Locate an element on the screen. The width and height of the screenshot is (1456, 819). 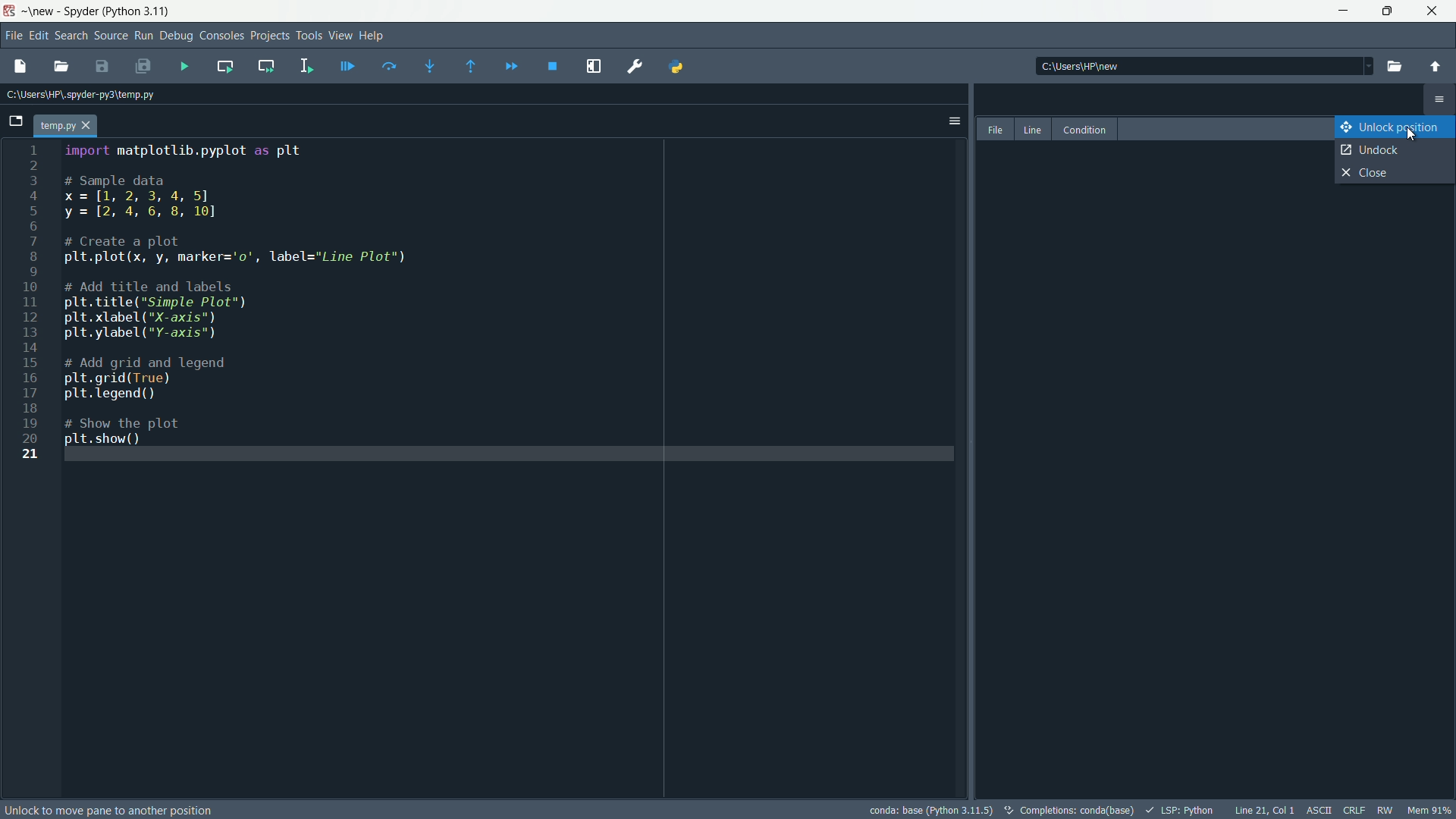
Unlock to move pane to another position is located at coordinates (110, 810).